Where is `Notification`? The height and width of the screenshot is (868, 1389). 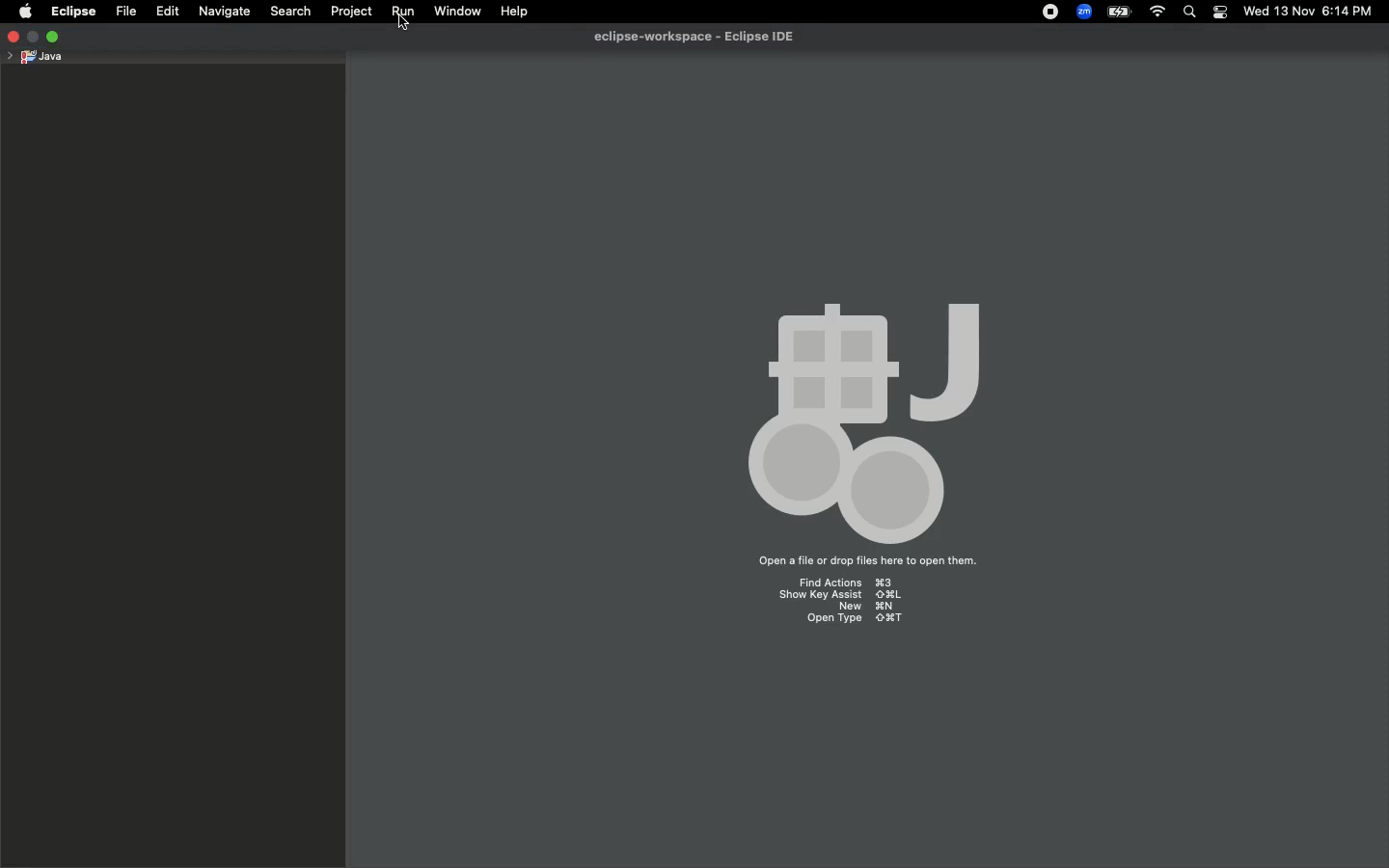
Notification is located at coordinates (1221, 13).